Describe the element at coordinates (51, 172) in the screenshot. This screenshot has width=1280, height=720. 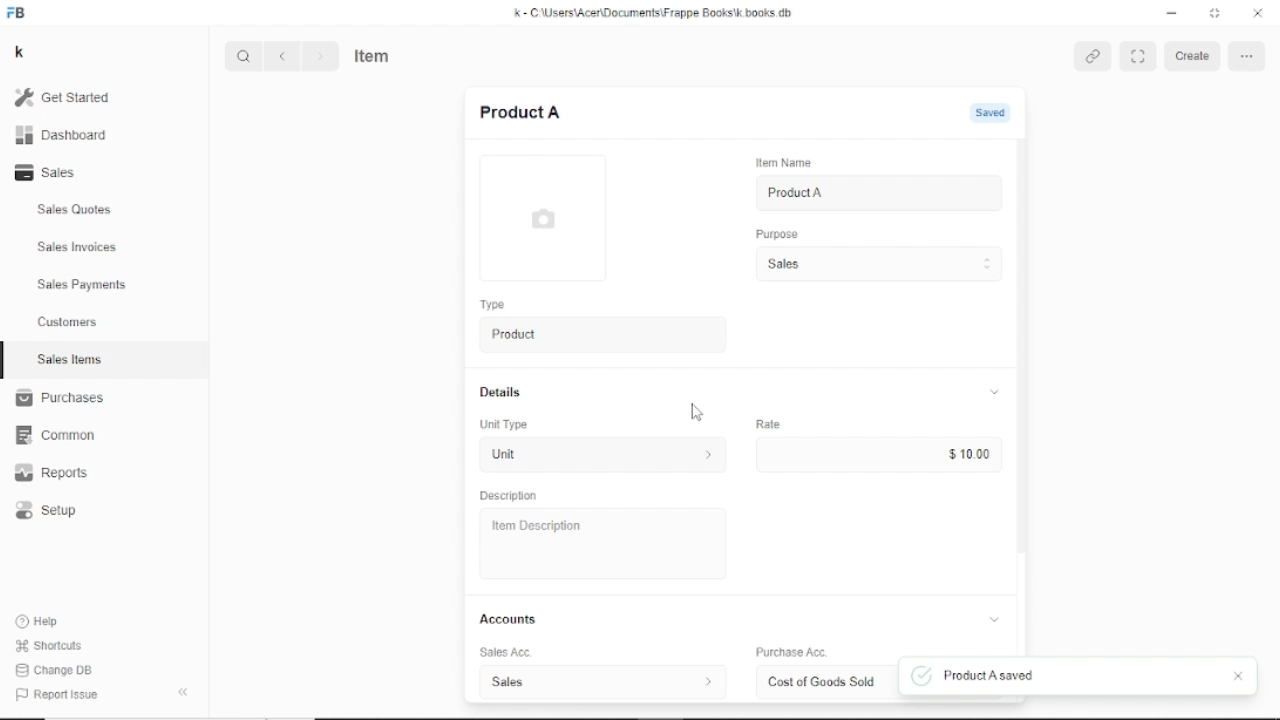
I see `Sales` at that location.